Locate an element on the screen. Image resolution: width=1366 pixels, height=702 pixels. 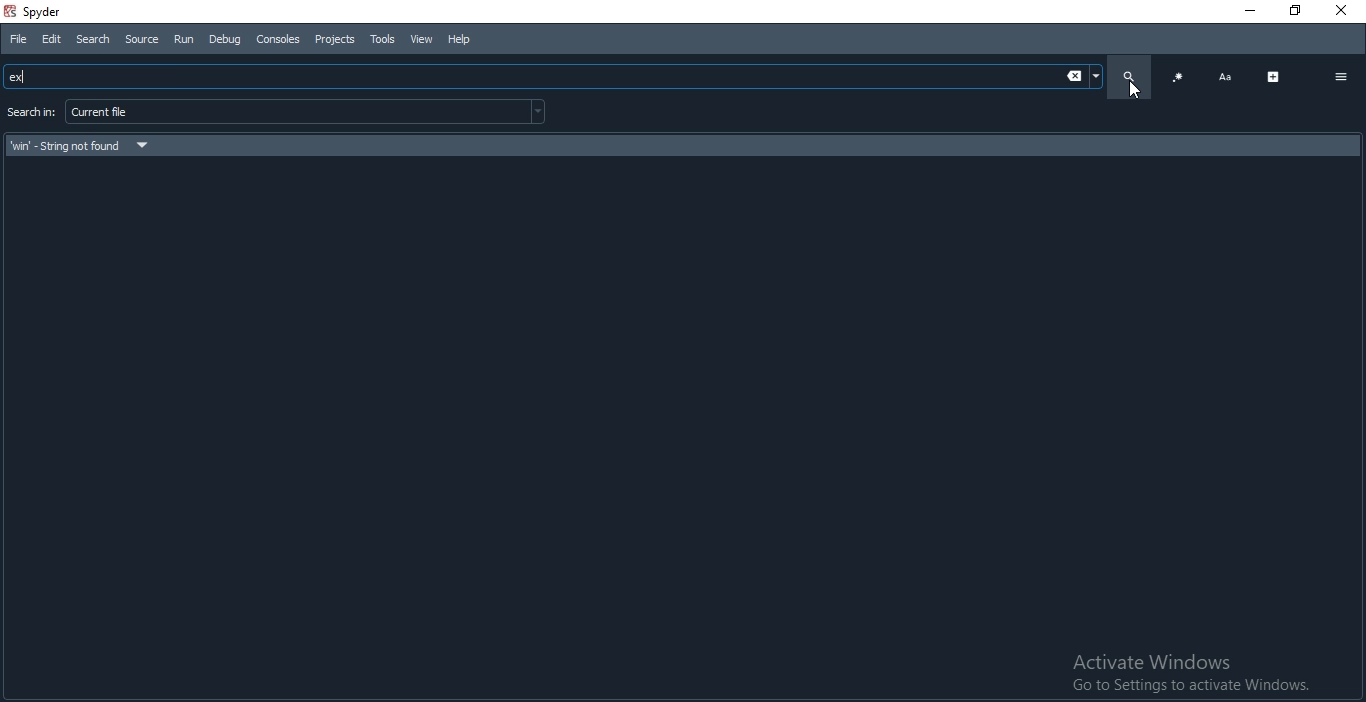
options is located at coordinates (1341, 76).